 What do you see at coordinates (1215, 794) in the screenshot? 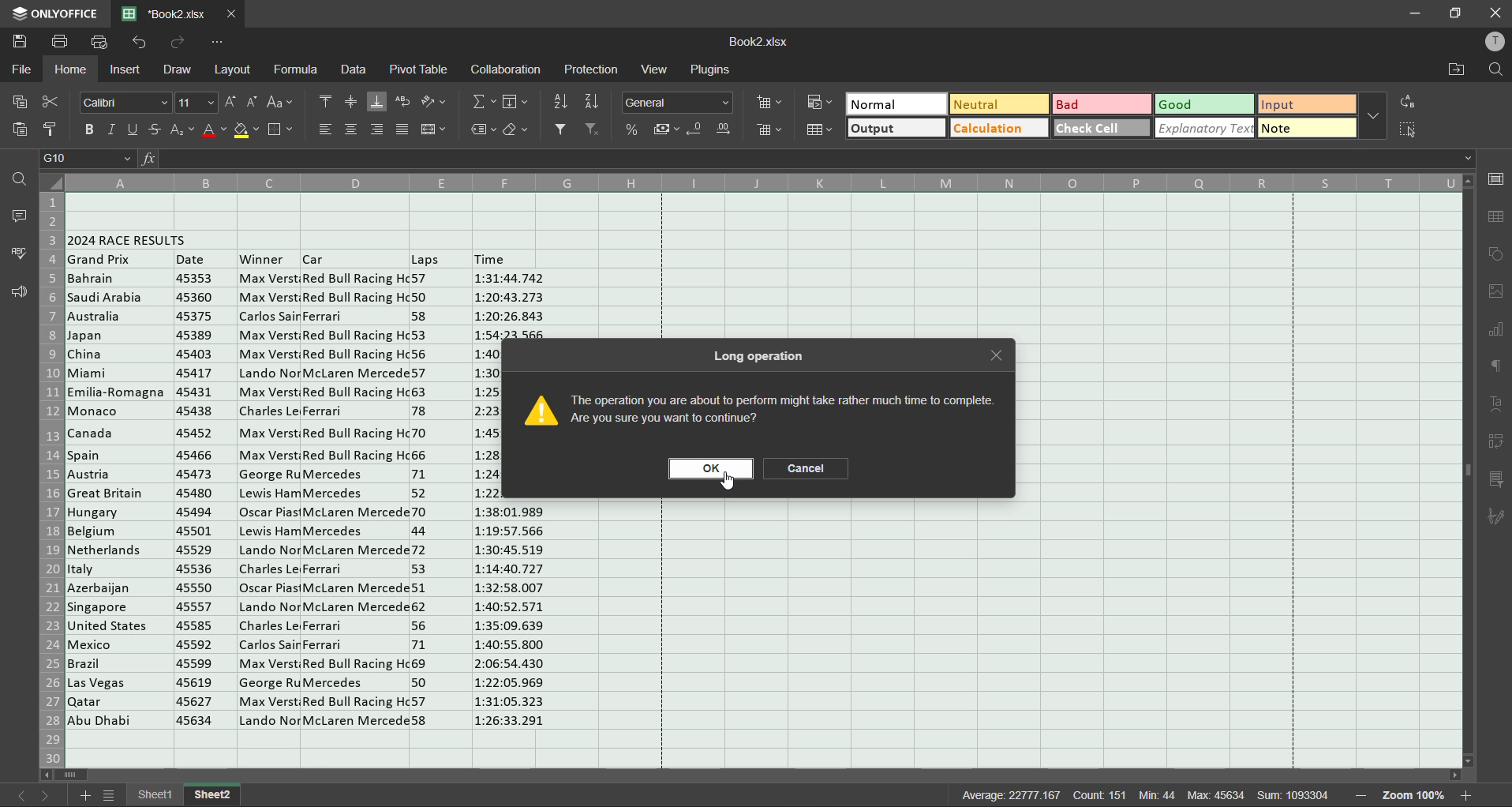
I see `max` at bounding box center [1215, 794].